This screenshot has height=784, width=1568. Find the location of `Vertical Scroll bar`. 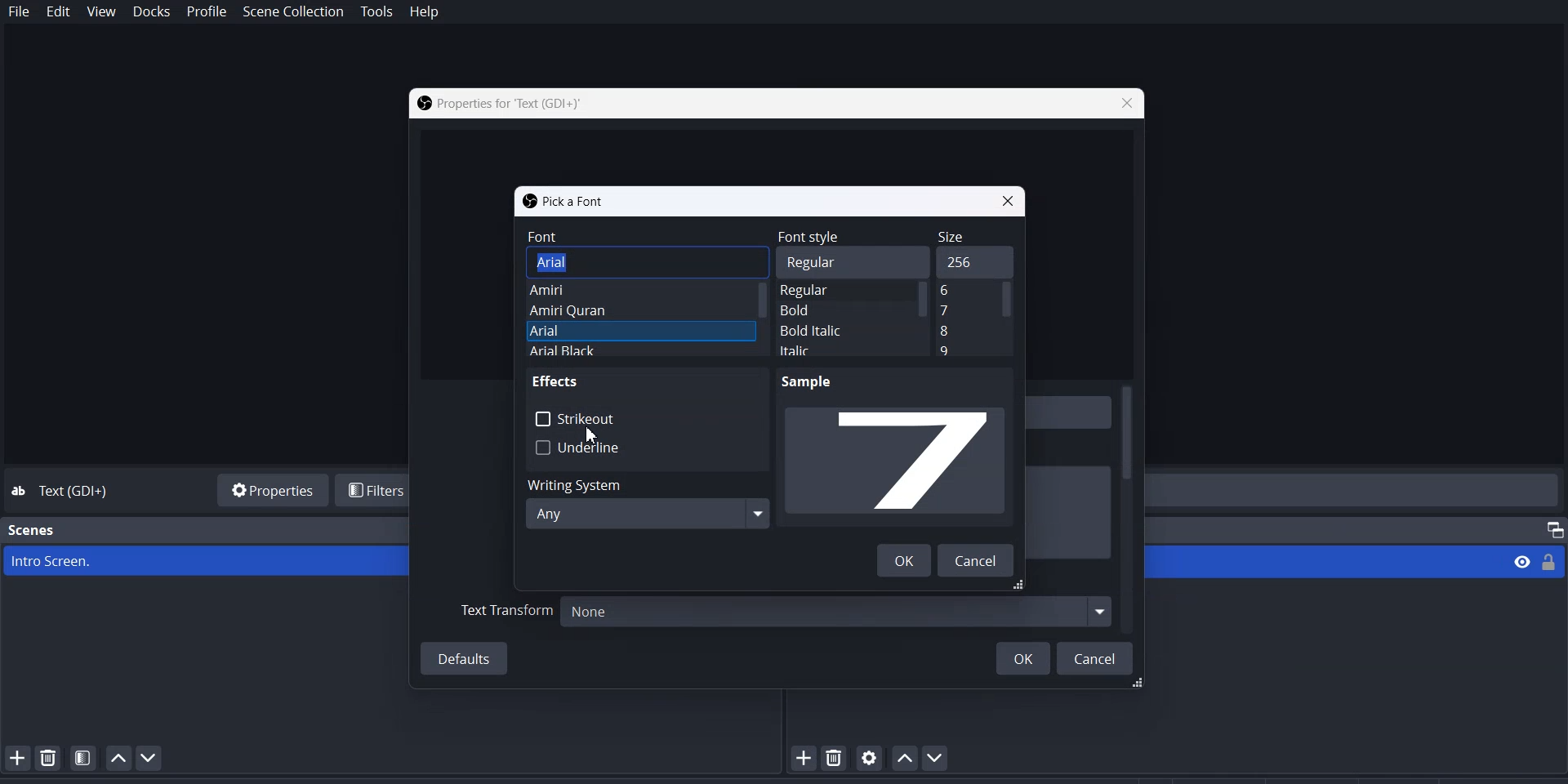

Vertical Scroll bar is located at coordinates (759, 322).